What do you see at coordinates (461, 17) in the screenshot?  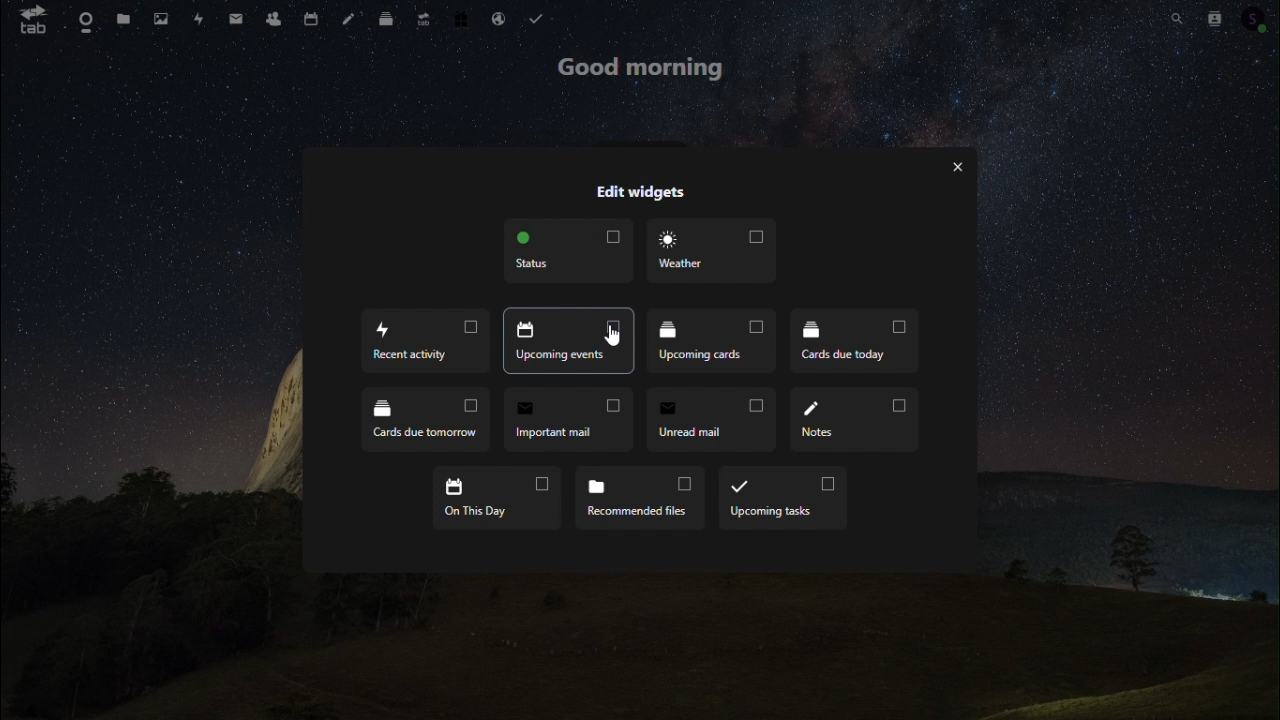 I see `free trial` at bounding box center [461, 17].